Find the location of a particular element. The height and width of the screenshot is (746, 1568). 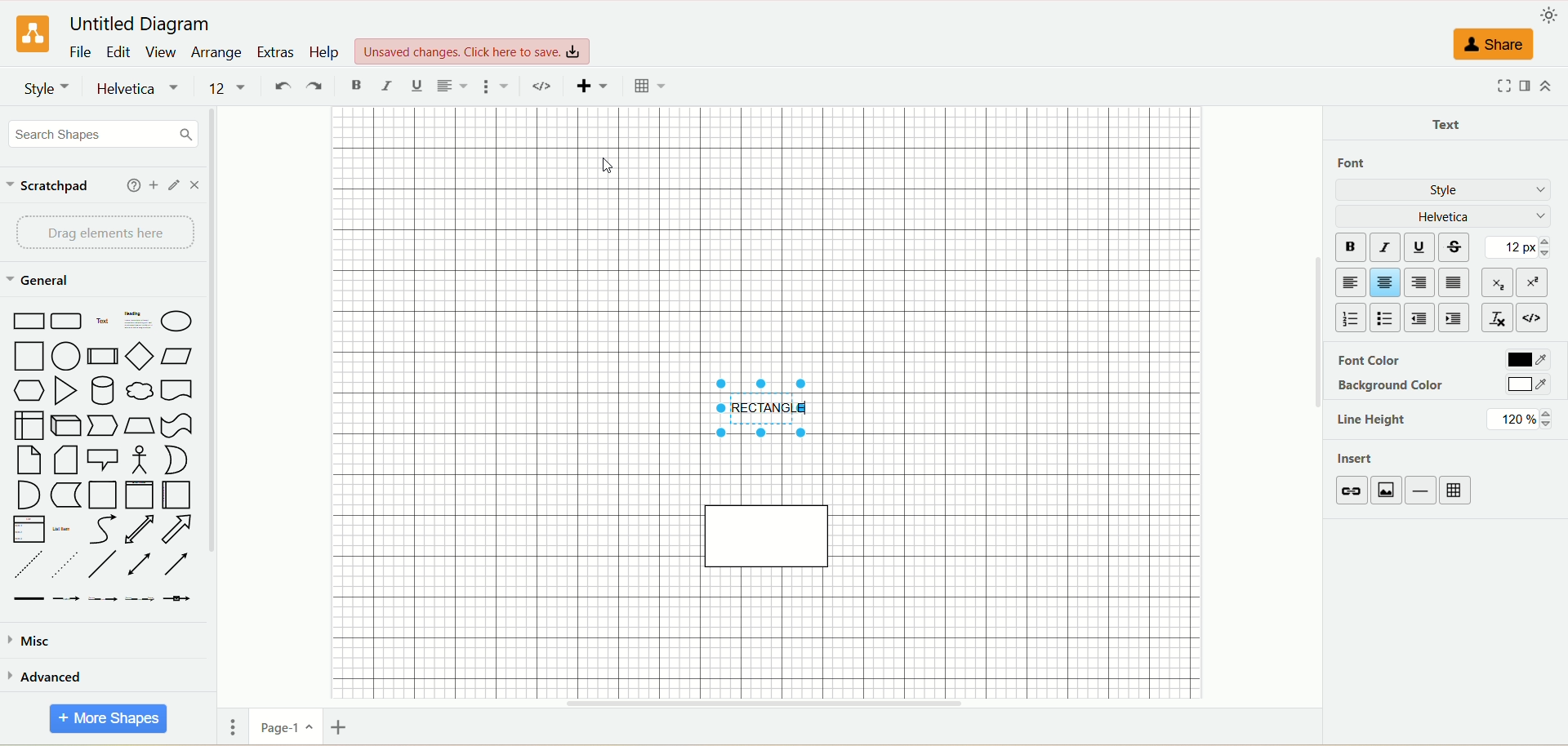

list is located at coordinates (26, 530).